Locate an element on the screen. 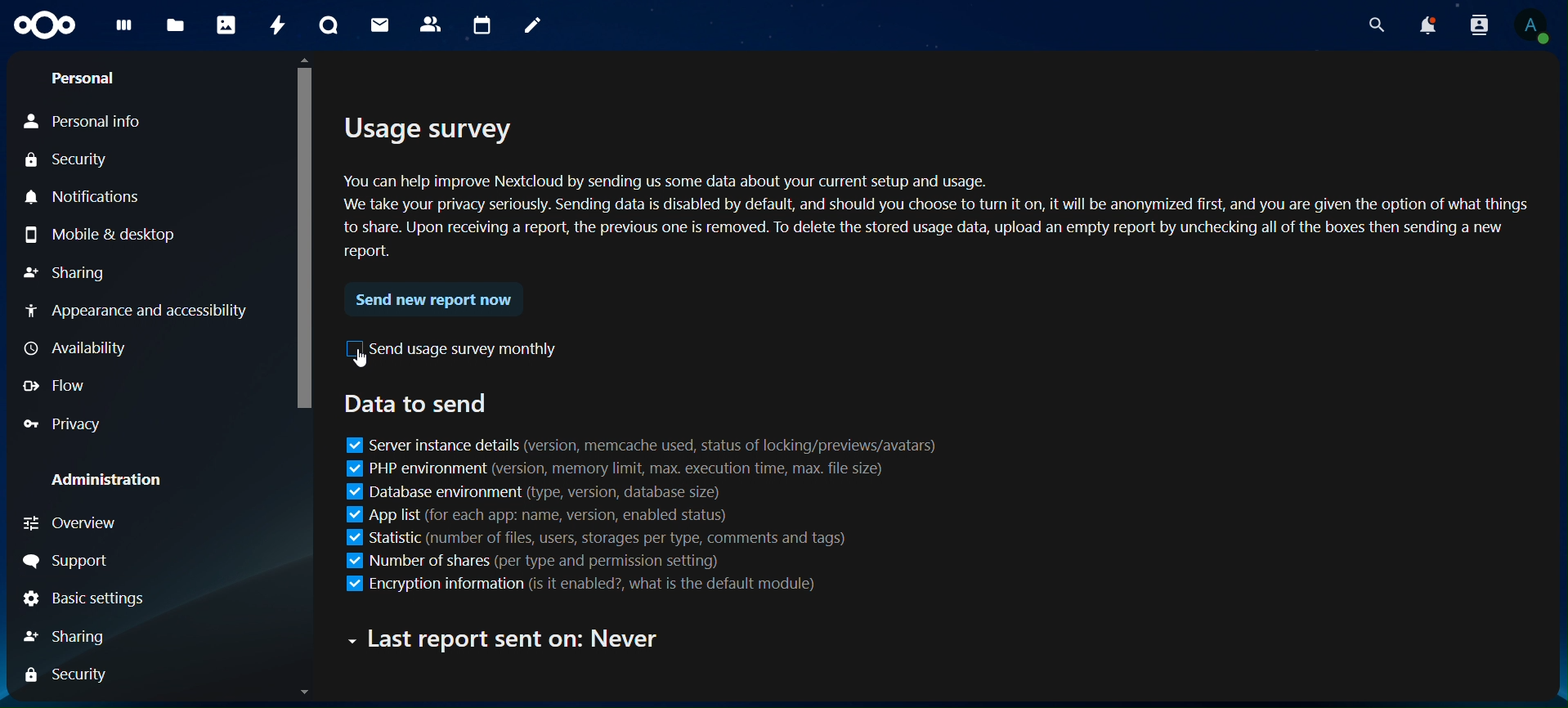  Overview is located at coordinates (75, 524).